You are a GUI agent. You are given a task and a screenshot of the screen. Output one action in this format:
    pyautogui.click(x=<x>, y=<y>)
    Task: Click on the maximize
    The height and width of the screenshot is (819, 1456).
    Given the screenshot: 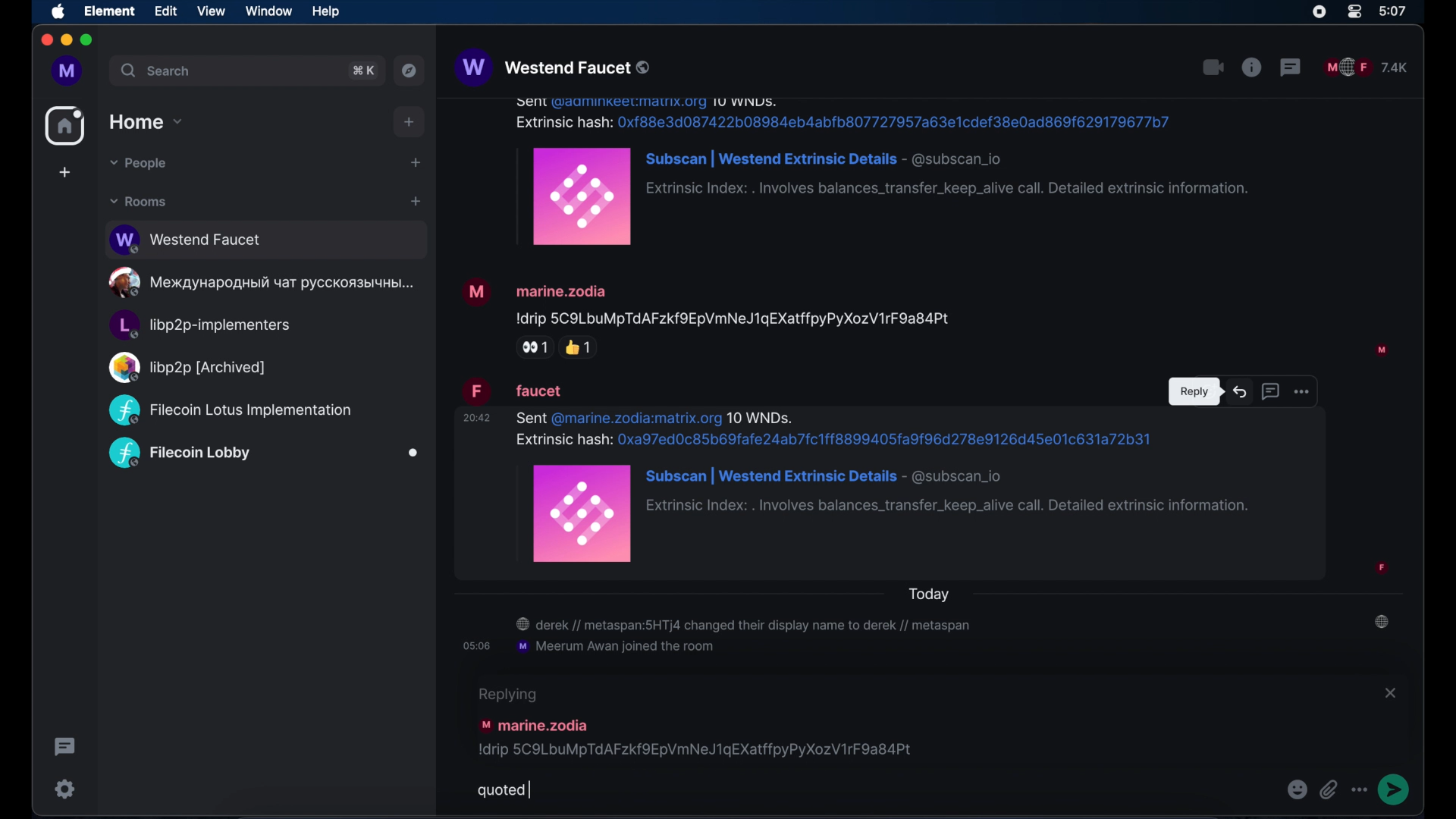 What is the action you would take?
    pyautogui.click(x=88, y=40)
    